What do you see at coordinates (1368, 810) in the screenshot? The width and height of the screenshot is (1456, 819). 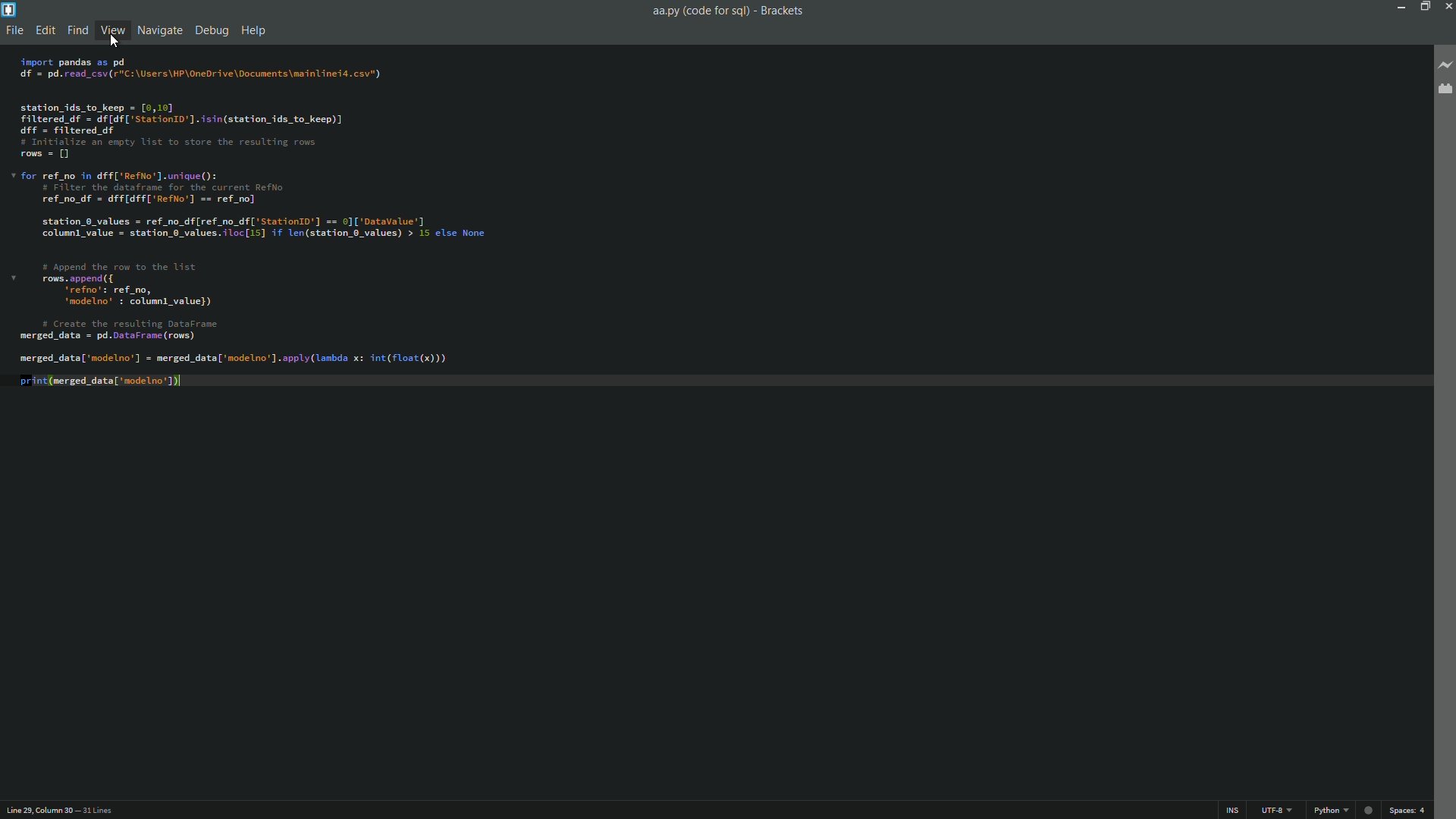 I see `Unsaved indicator` at bounding box center [1368, 810].